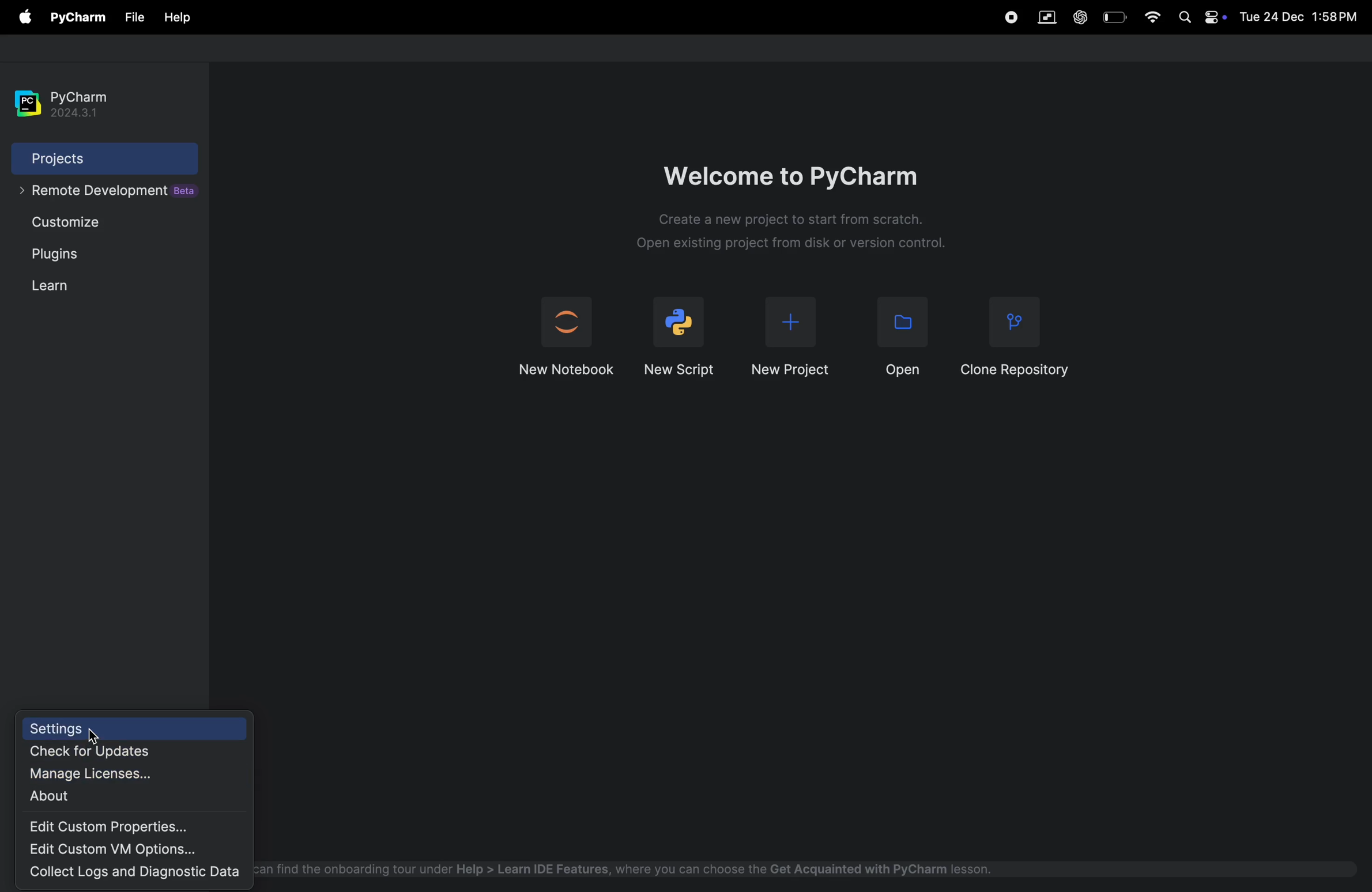  I want to click on remote development, so click(104, 195).